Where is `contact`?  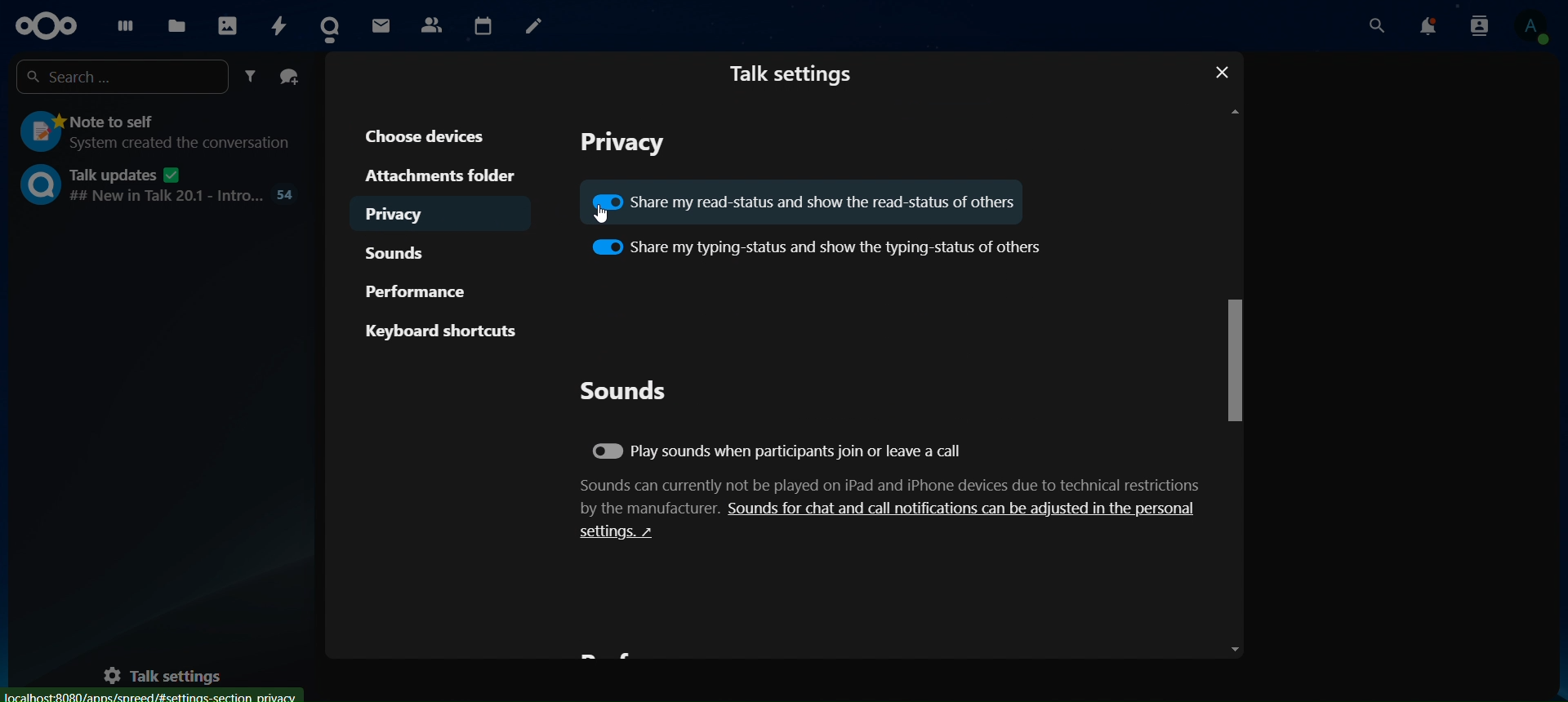
contact is located at coordinates (431, 23).